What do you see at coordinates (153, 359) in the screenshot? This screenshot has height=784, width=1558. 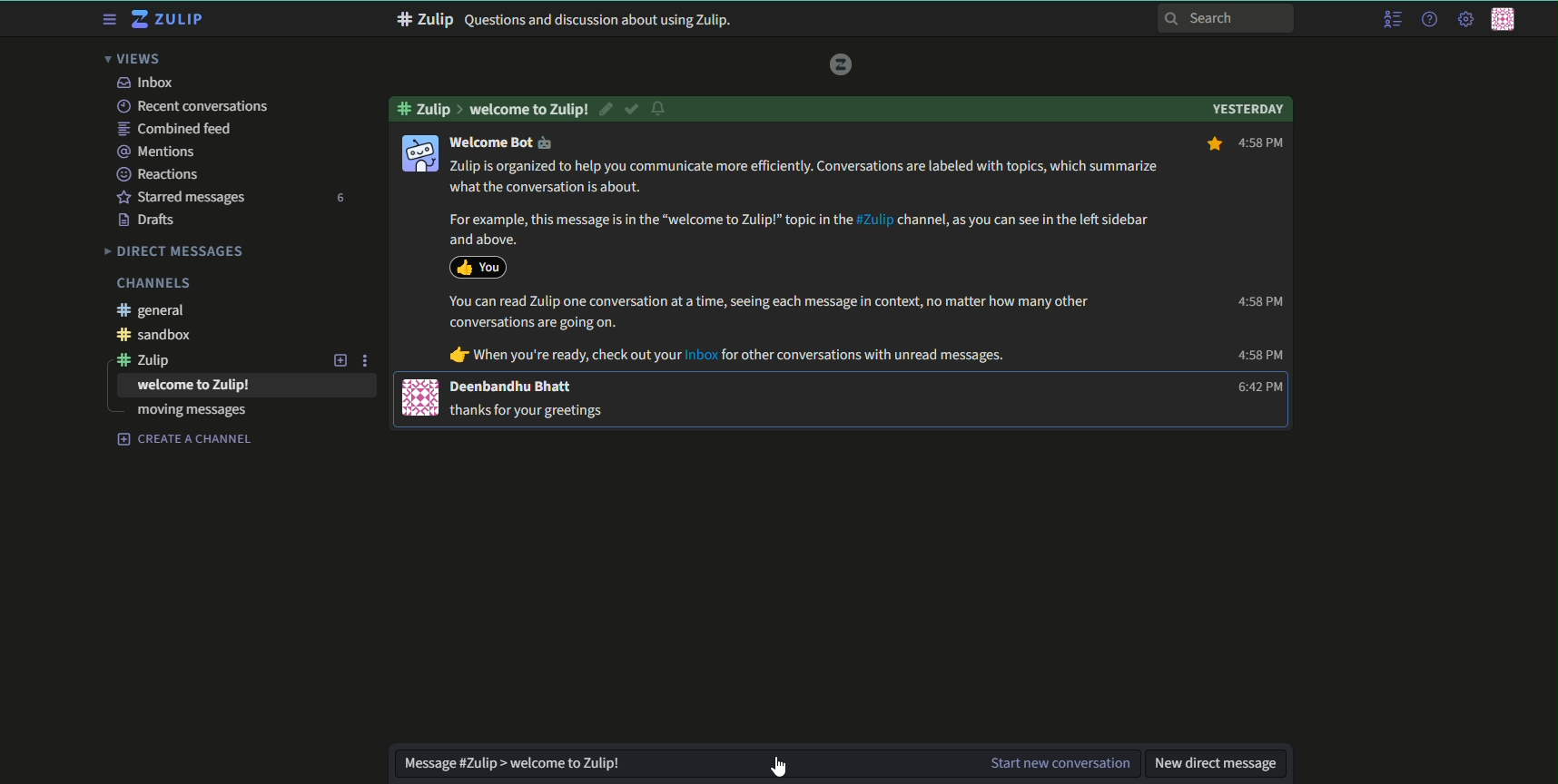 I see `#zulip` at bounding box center [153, 359].